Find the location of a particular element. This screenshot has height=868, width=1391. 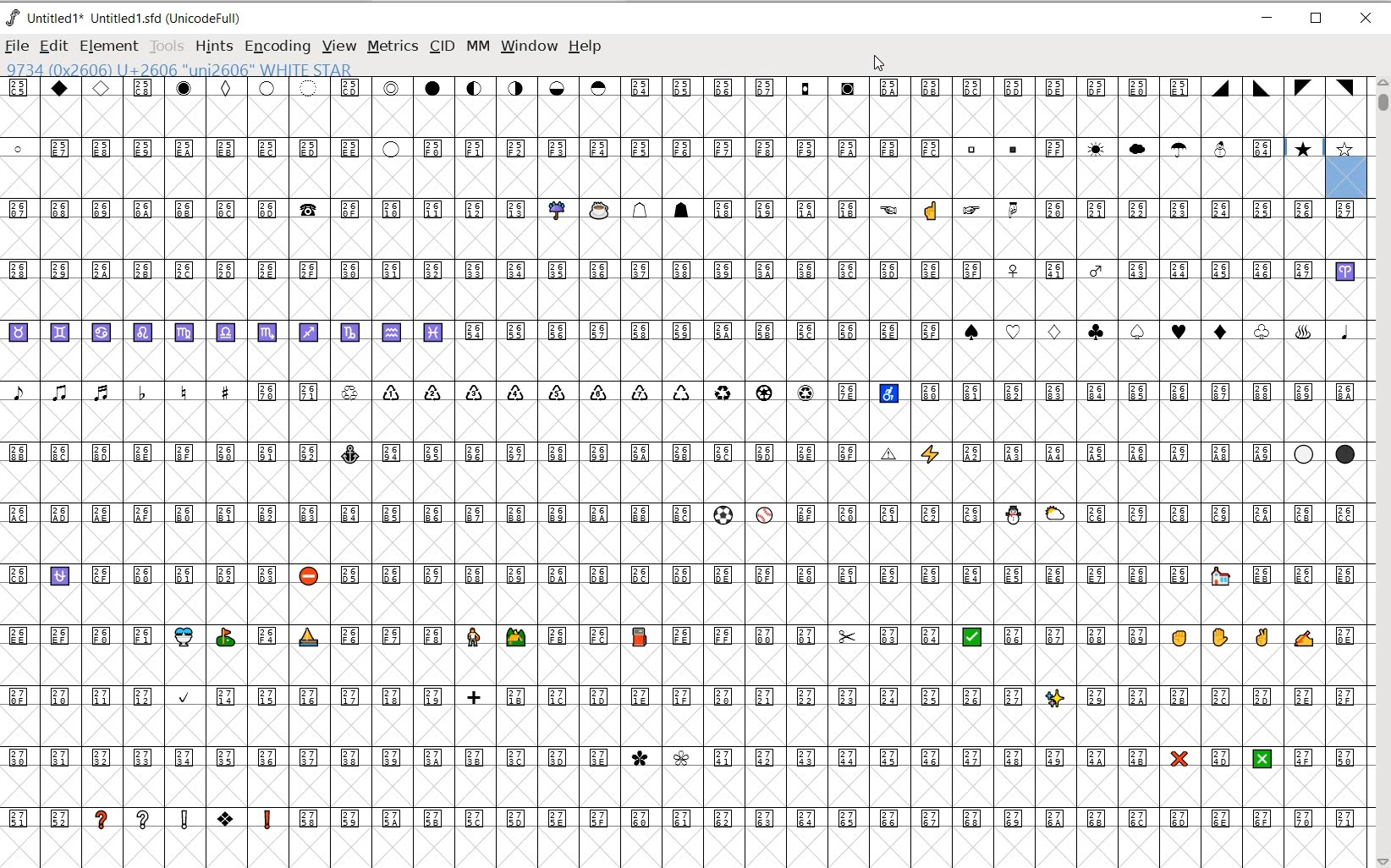

MINIMIZE is located at coordinates (1267, 18).